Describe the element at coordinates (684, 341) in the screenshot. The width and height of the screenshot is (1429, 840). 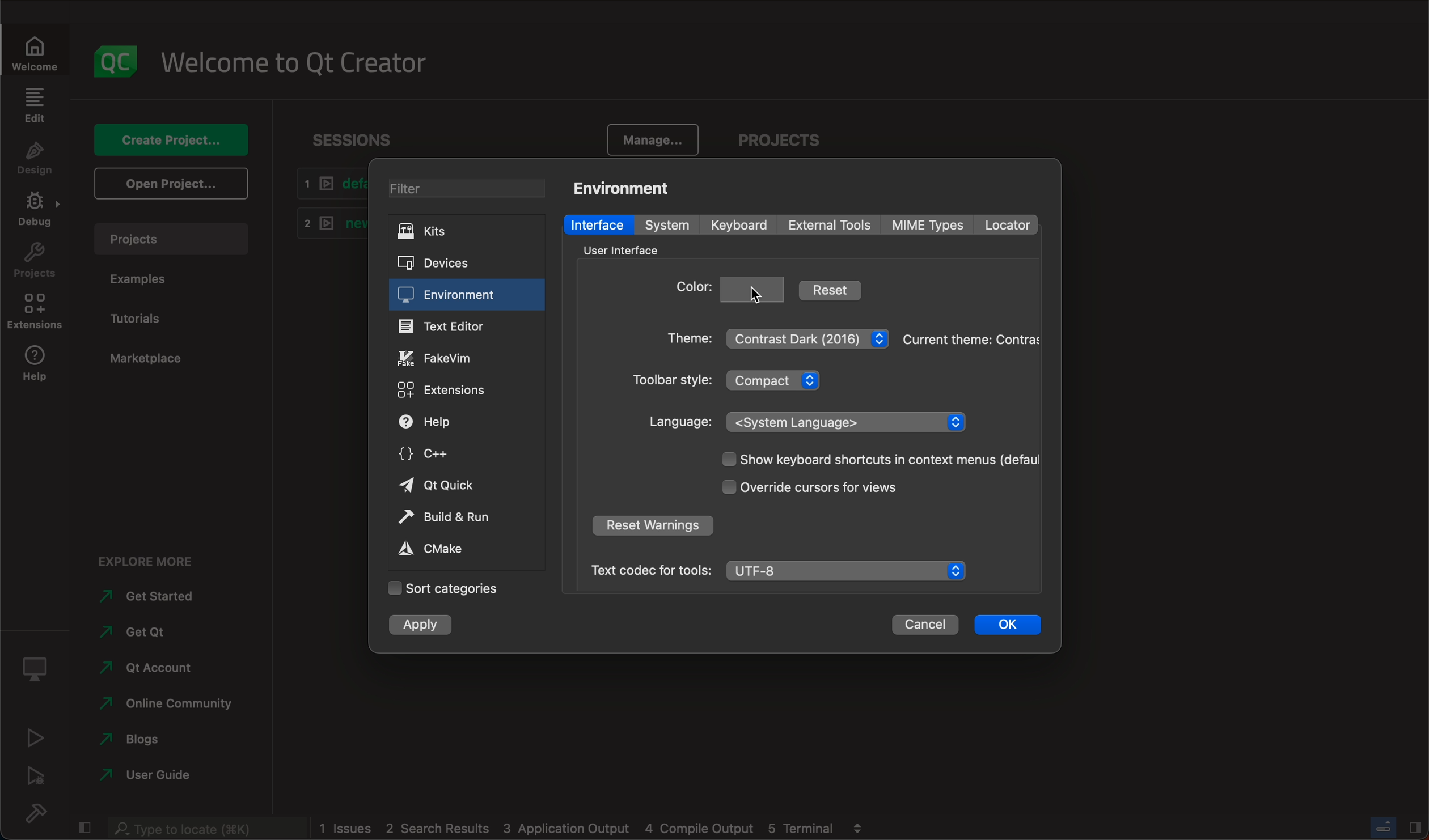
I see `theme` at that location.